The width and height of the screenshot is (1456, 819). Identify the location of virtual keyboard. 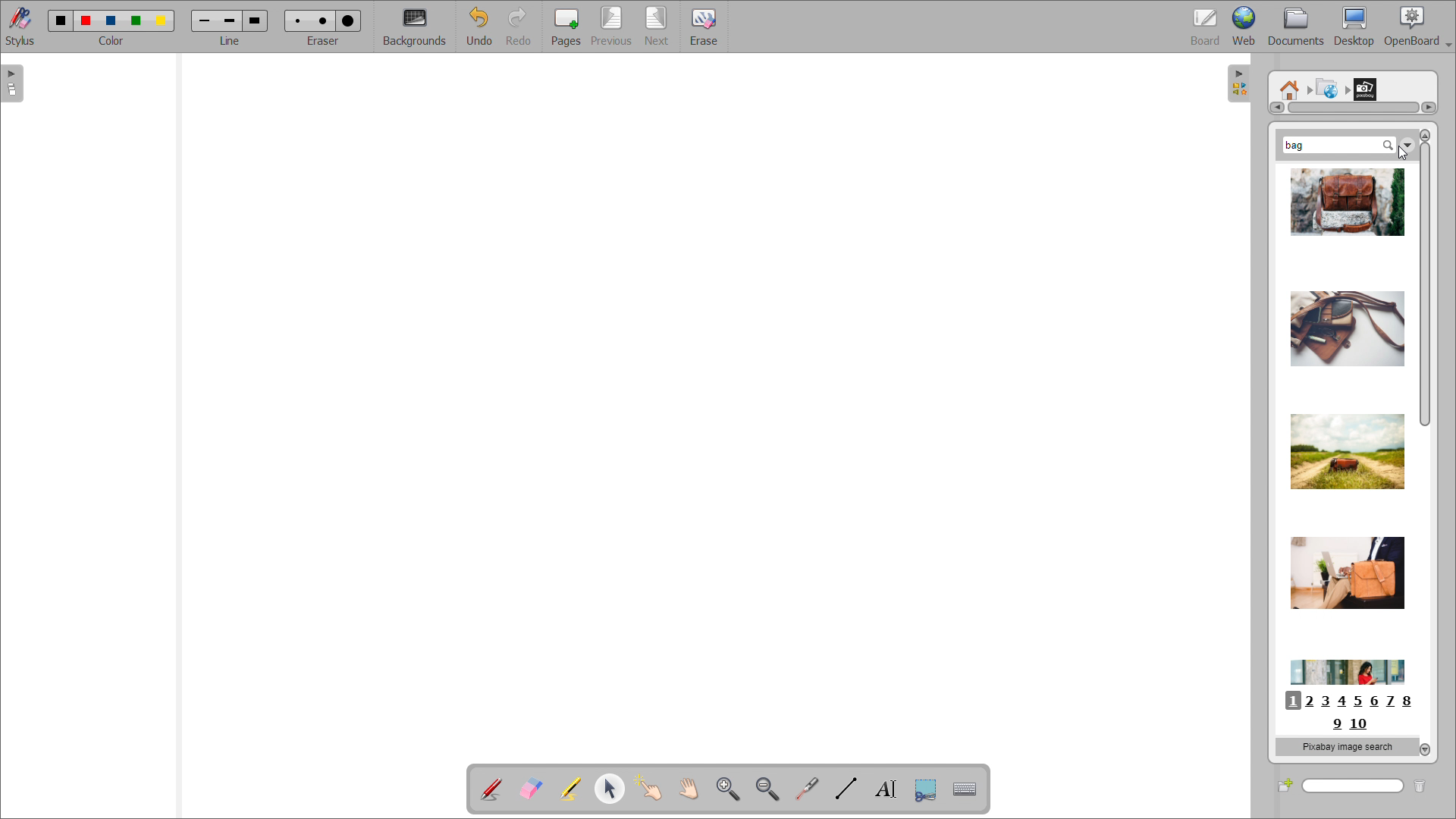
(965, 789).